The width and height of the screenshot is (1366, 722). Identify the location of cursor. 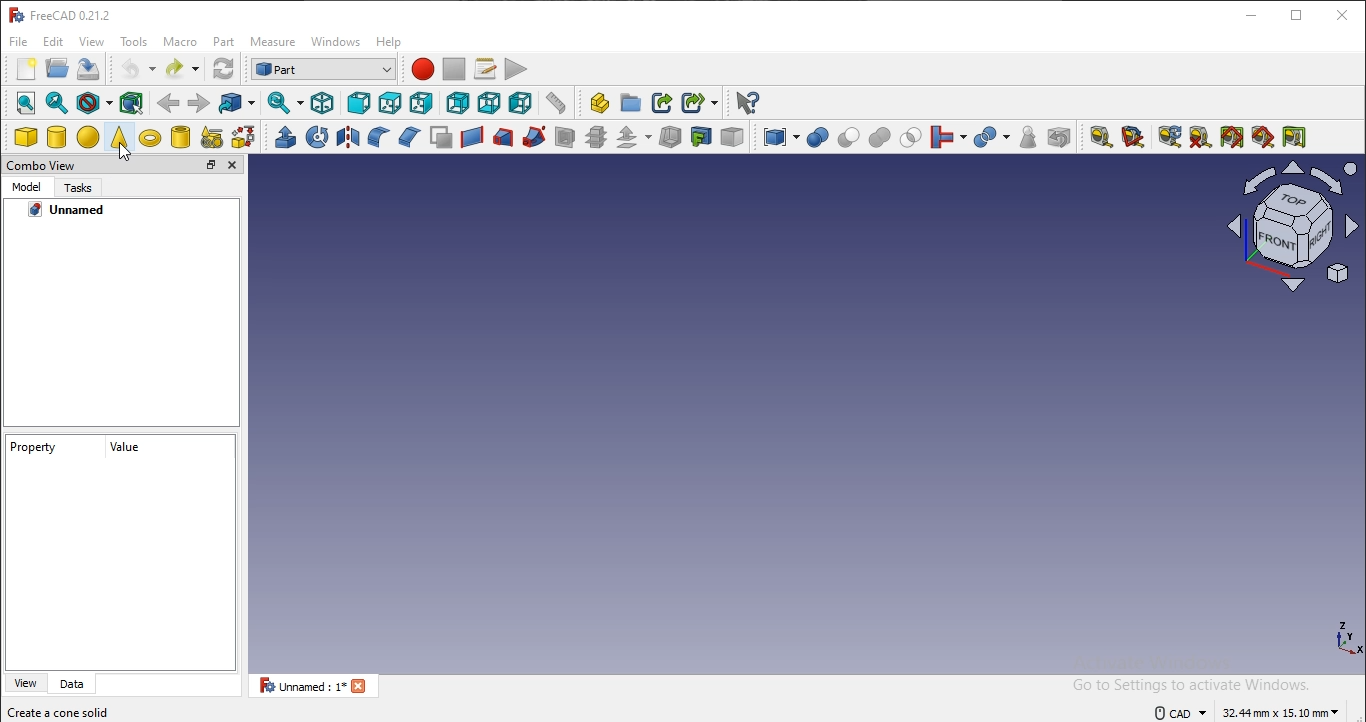
(125, 151).